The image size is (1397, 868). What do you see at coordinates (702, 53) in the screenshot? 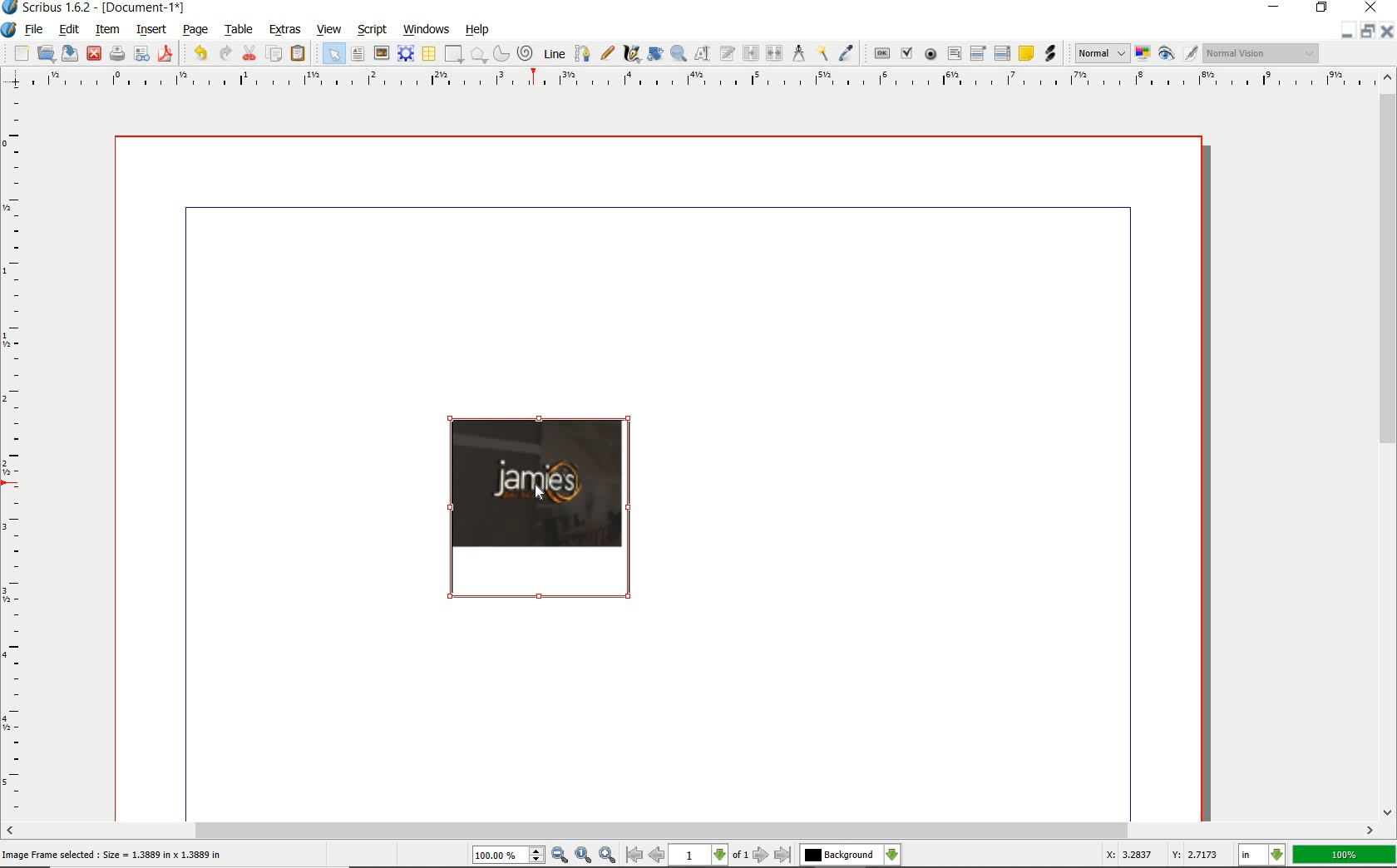
I see `edit contents of frame` at bounding box center [702, 53].